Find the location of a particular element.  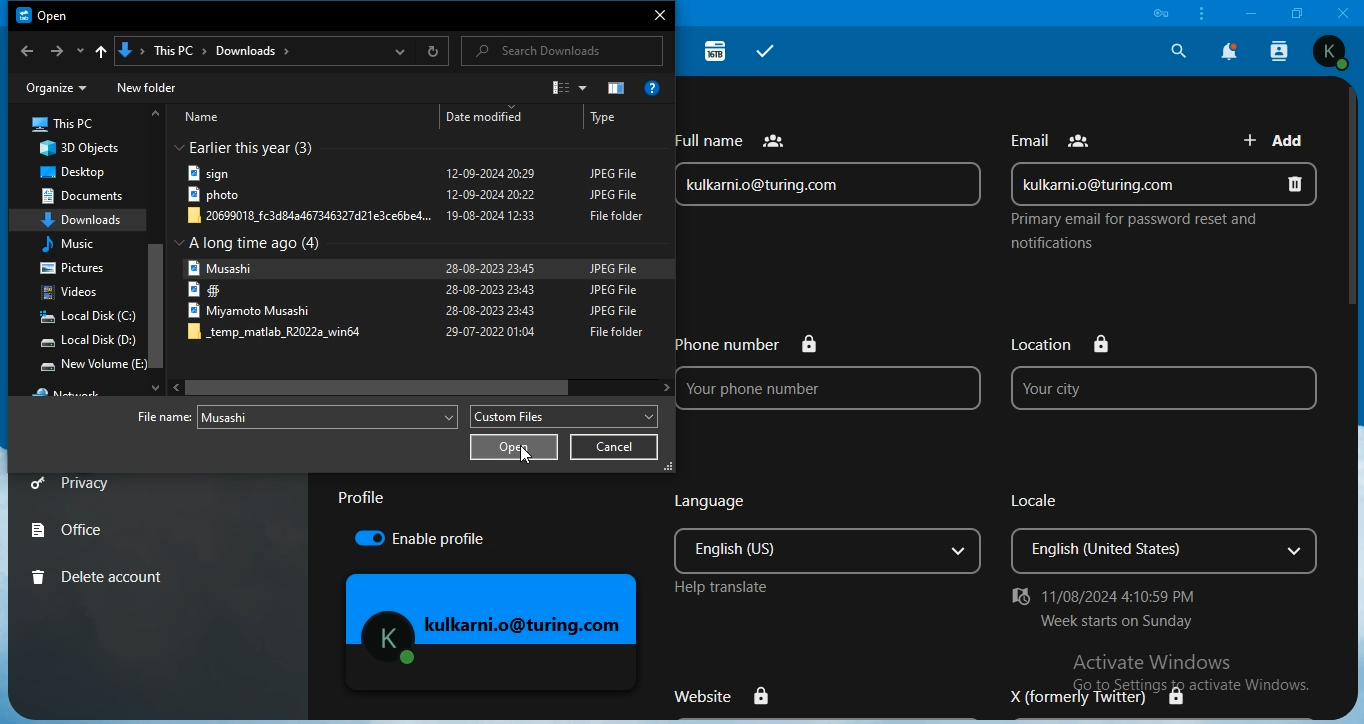

tasks is located at coordinates (766, 52).